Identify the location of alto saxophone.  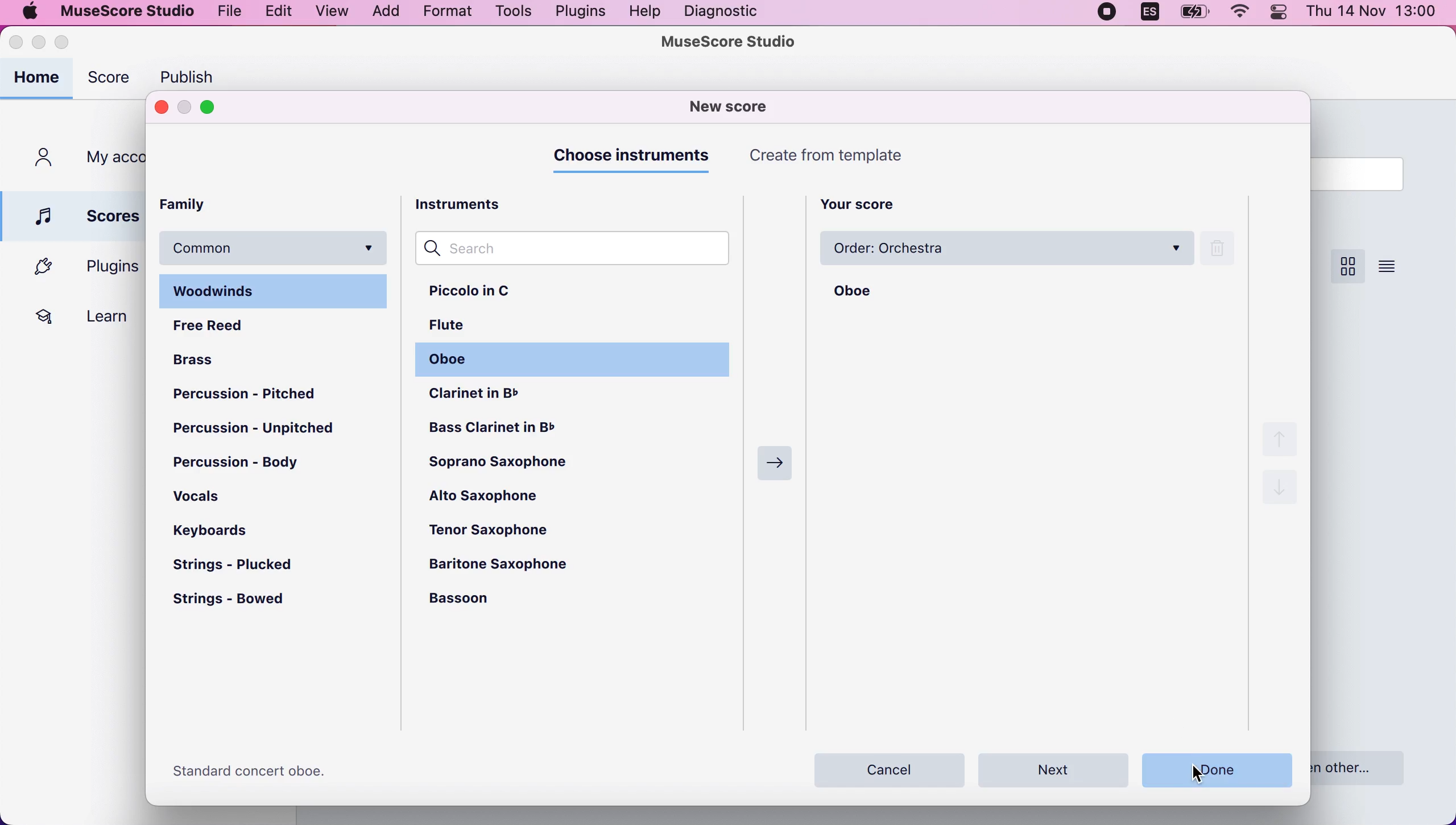
(495, 498).